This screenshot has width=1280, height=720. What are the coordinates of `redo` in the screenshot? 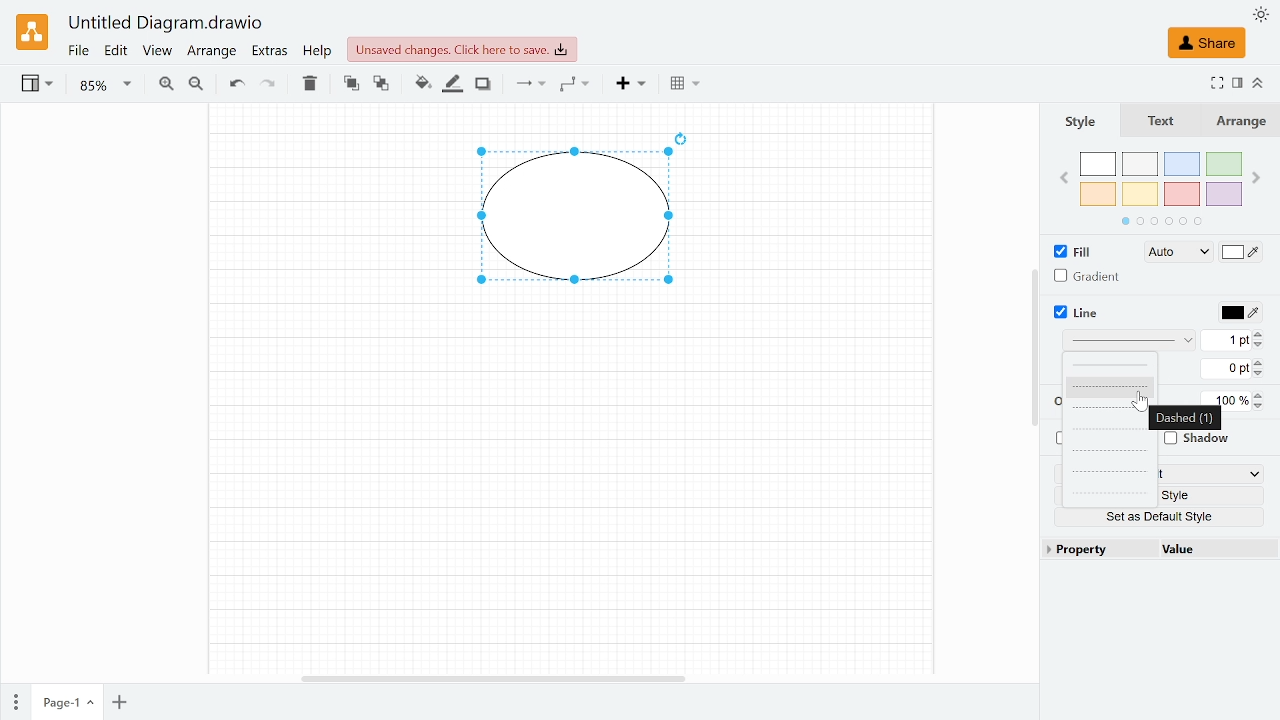 It's located at (269, 87).